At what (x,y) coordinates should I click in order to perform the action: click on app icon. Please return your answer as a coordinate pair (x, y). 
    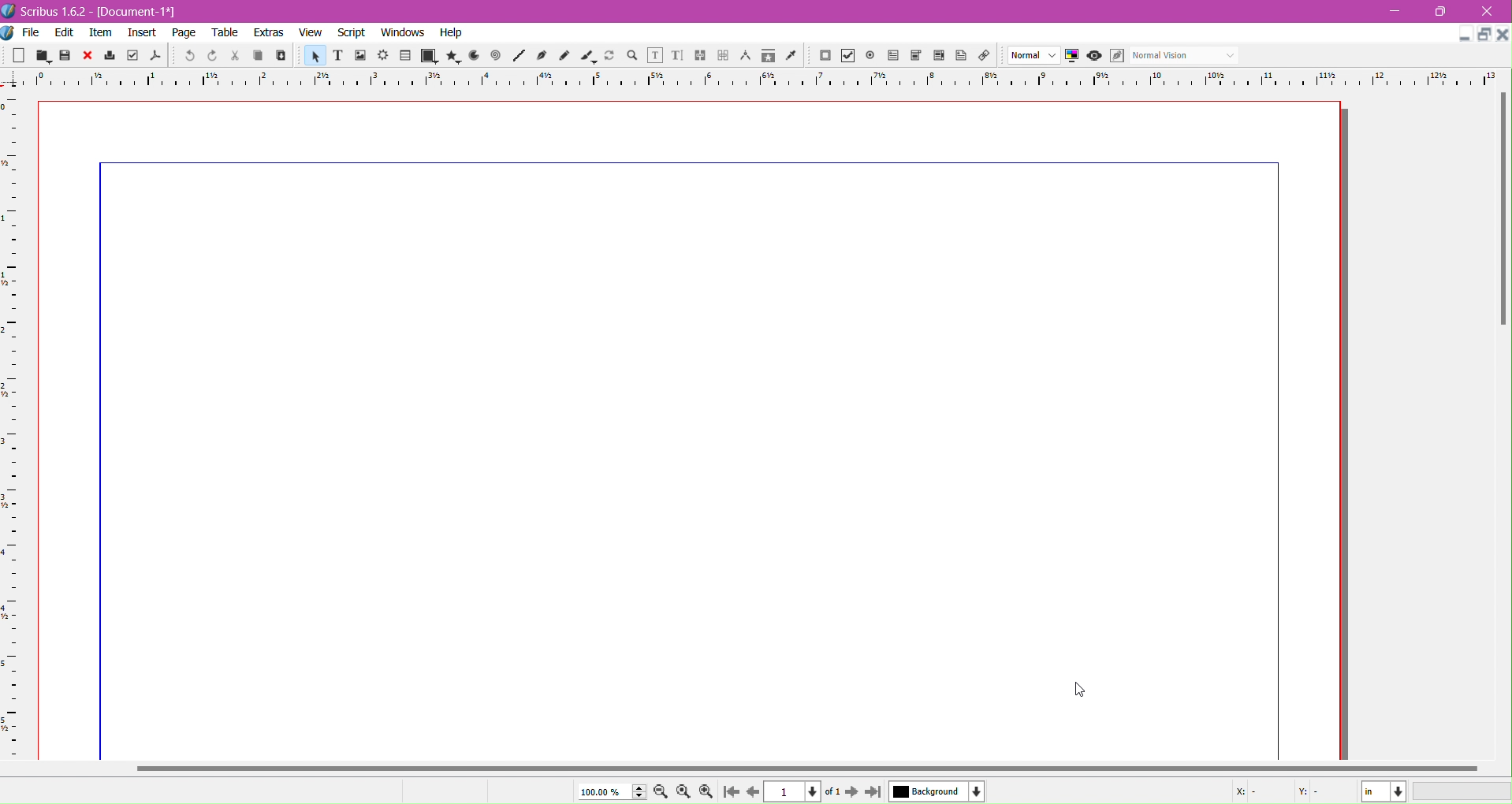
    Looking at the image, I should click on (9, 11).